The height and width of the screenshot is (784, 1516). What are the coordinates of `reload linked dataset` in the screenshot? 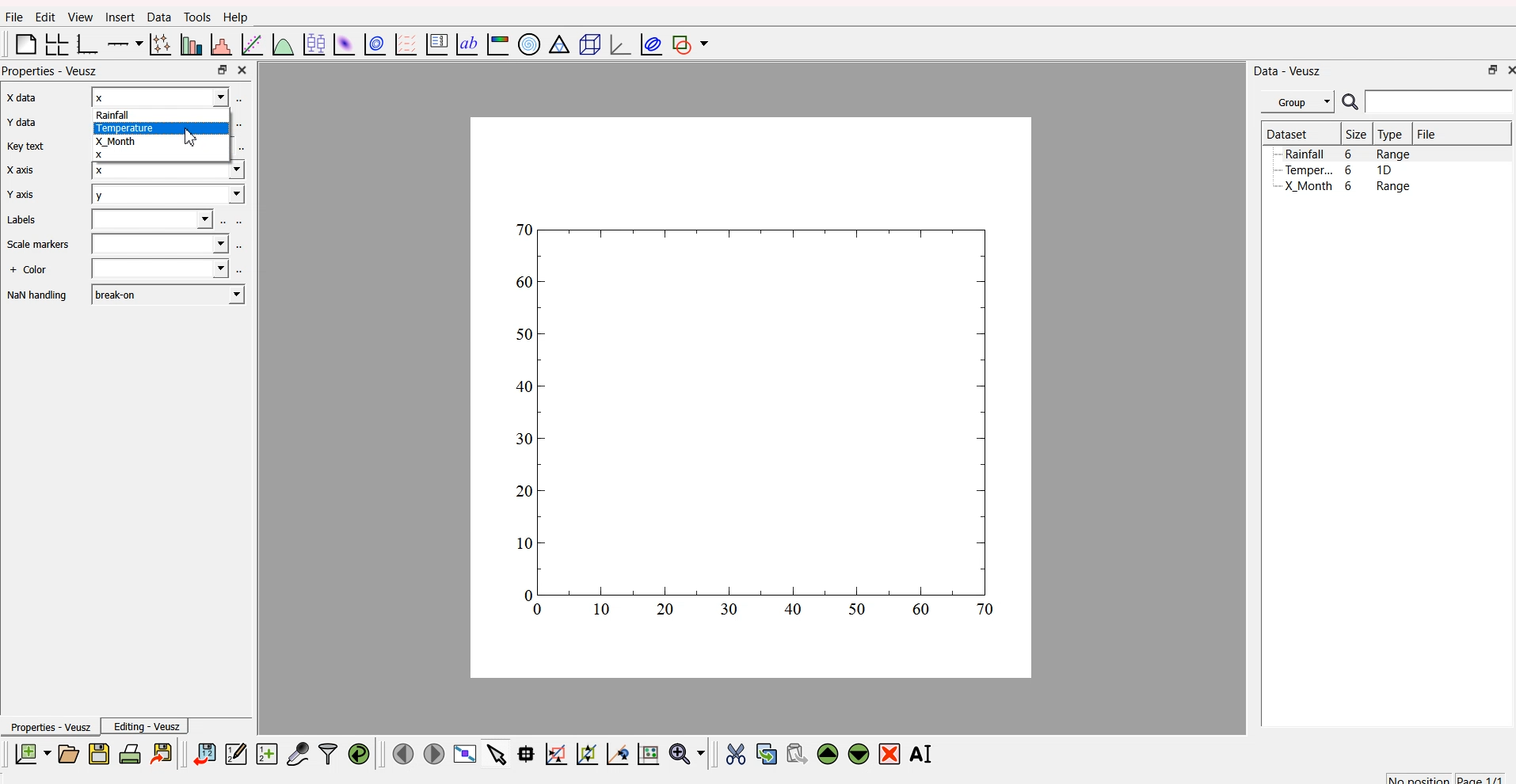 It's located at (358, 752).